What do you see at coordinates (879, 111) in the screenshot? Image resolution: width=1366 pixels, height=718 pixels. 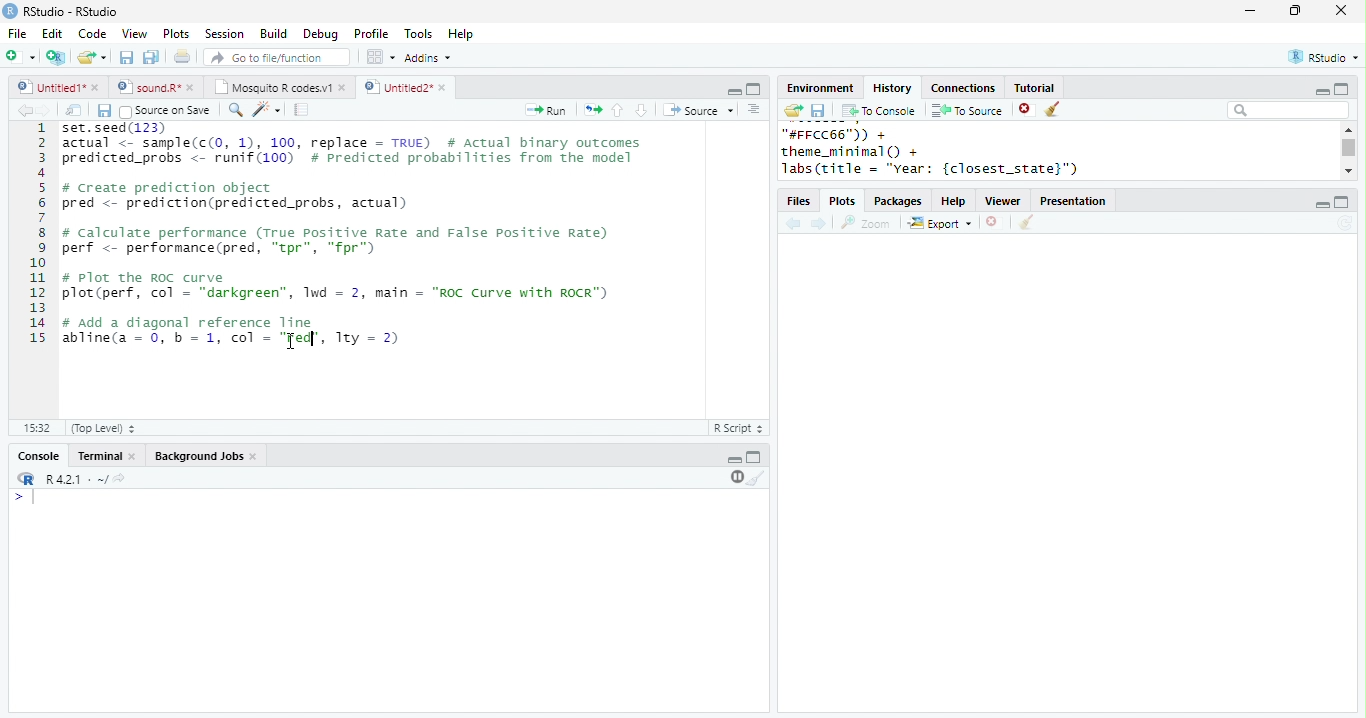 I see `To console` at bounding box center [879, 111].